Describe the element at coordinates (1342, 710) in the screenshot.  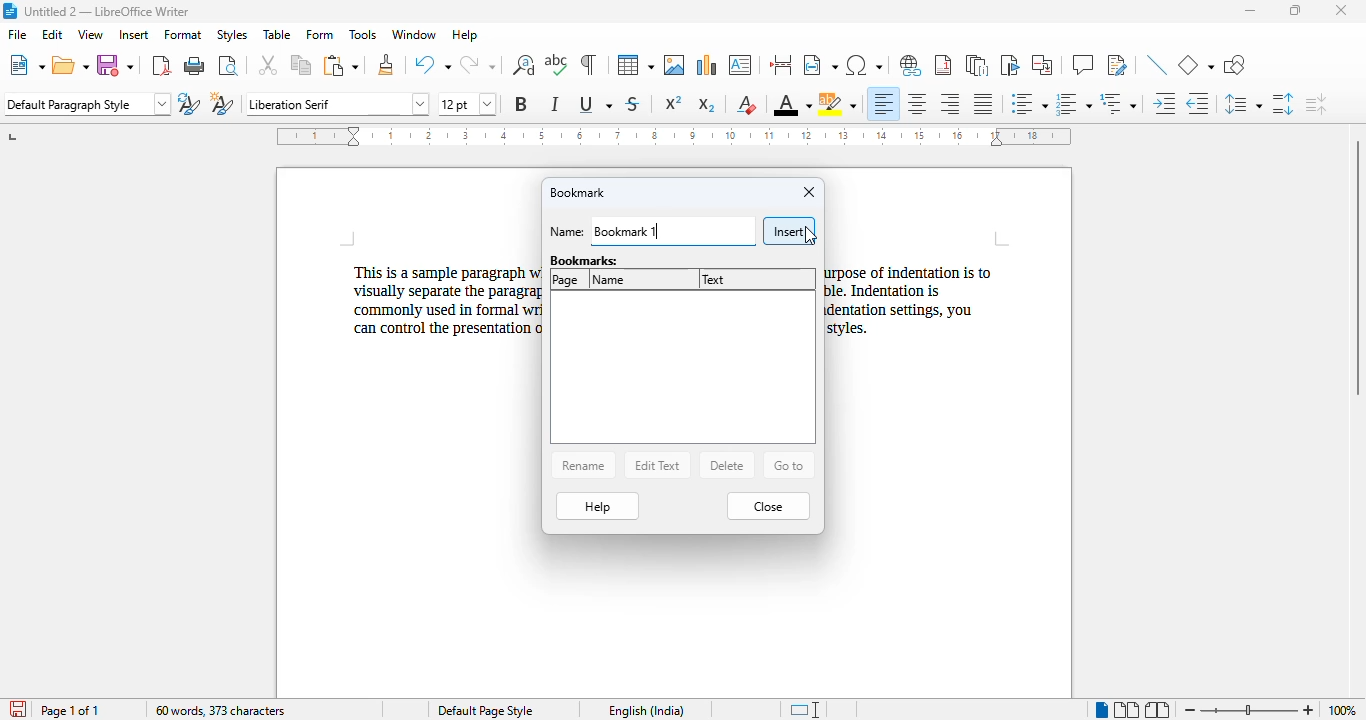
I see `zoom factor` at that location.